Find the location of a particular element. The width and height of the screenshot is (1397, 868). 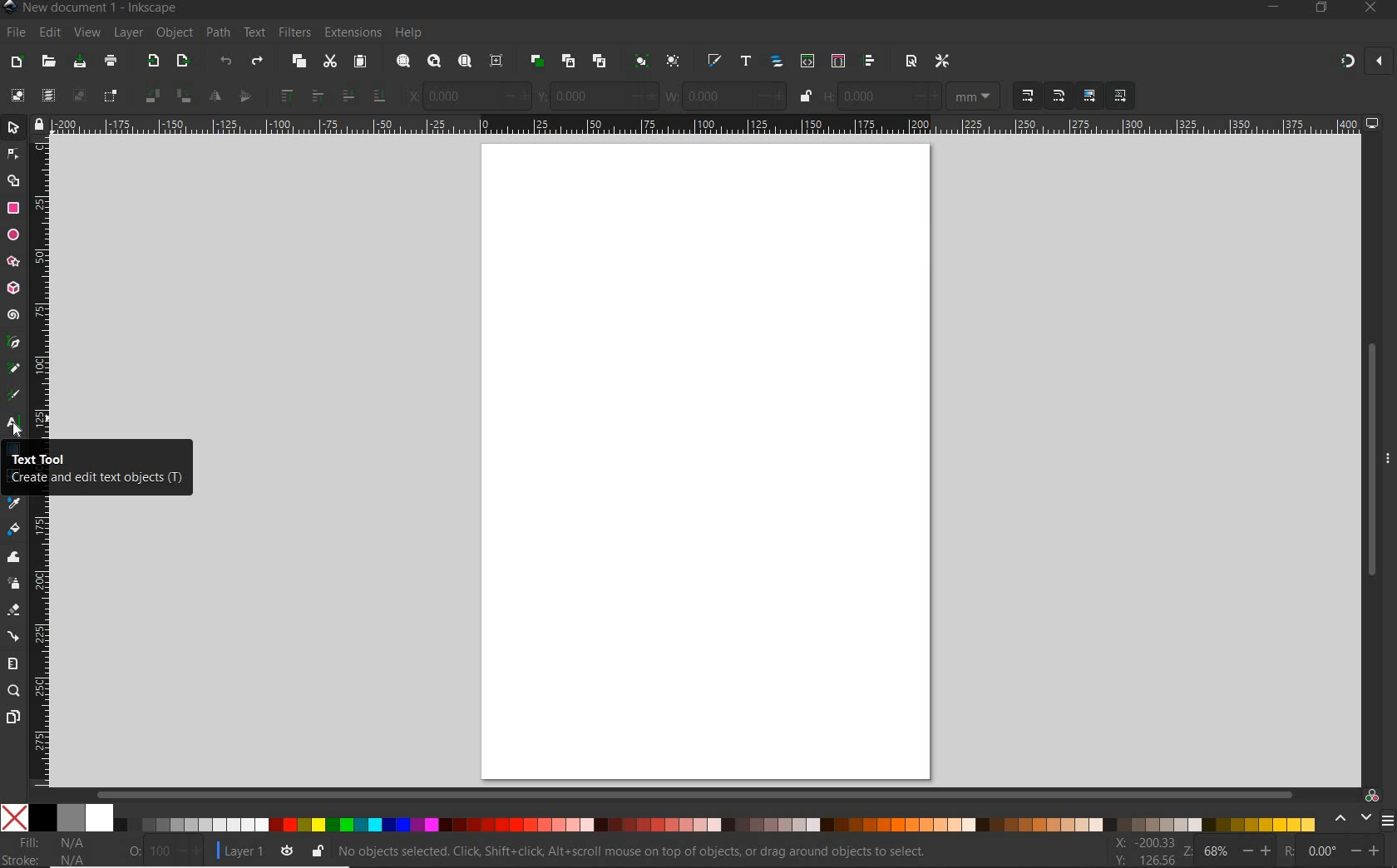

star tool is located at coordinates (13, 263).